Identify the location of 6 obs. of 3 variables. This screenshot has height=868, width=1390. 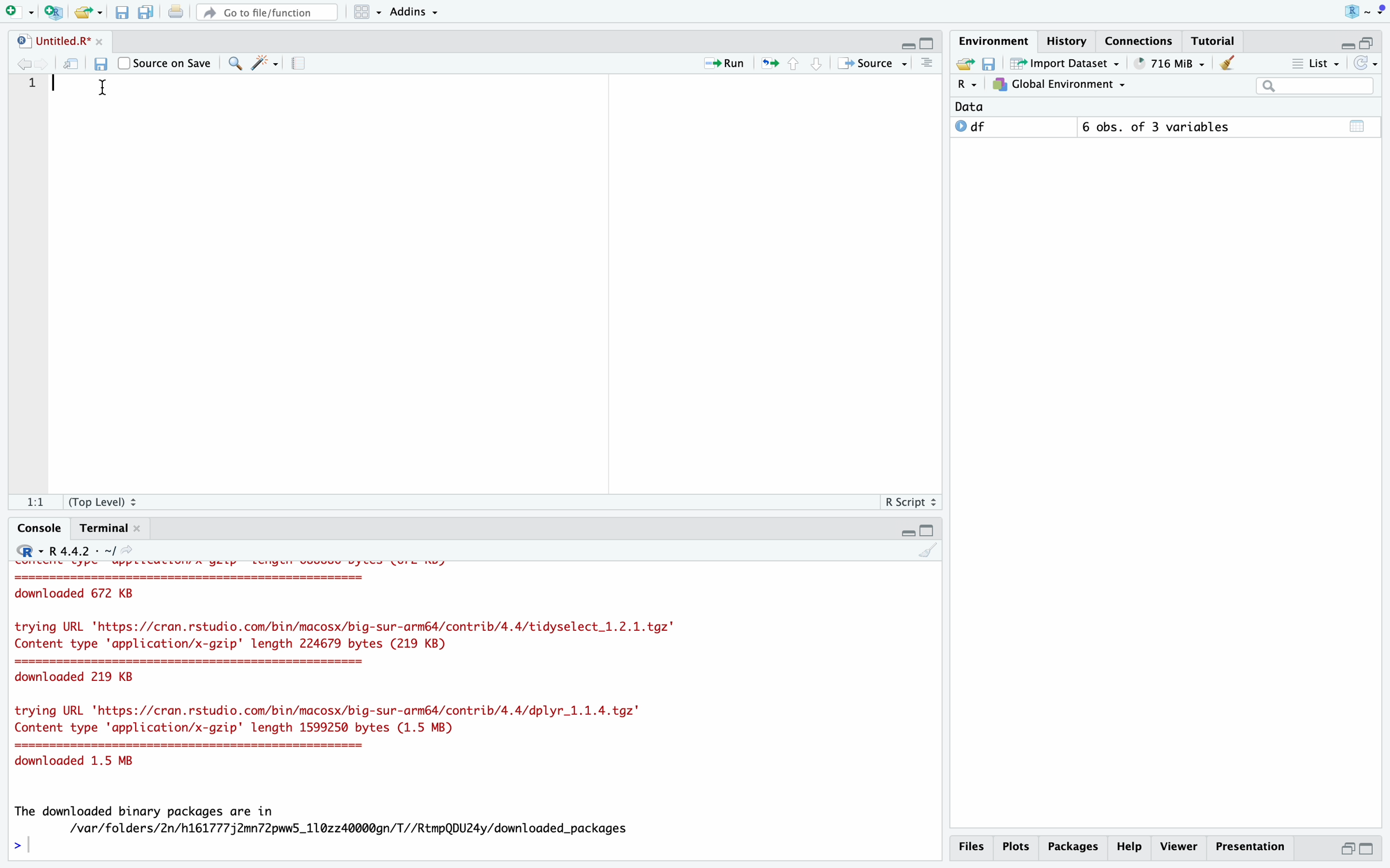
(1161, 126).